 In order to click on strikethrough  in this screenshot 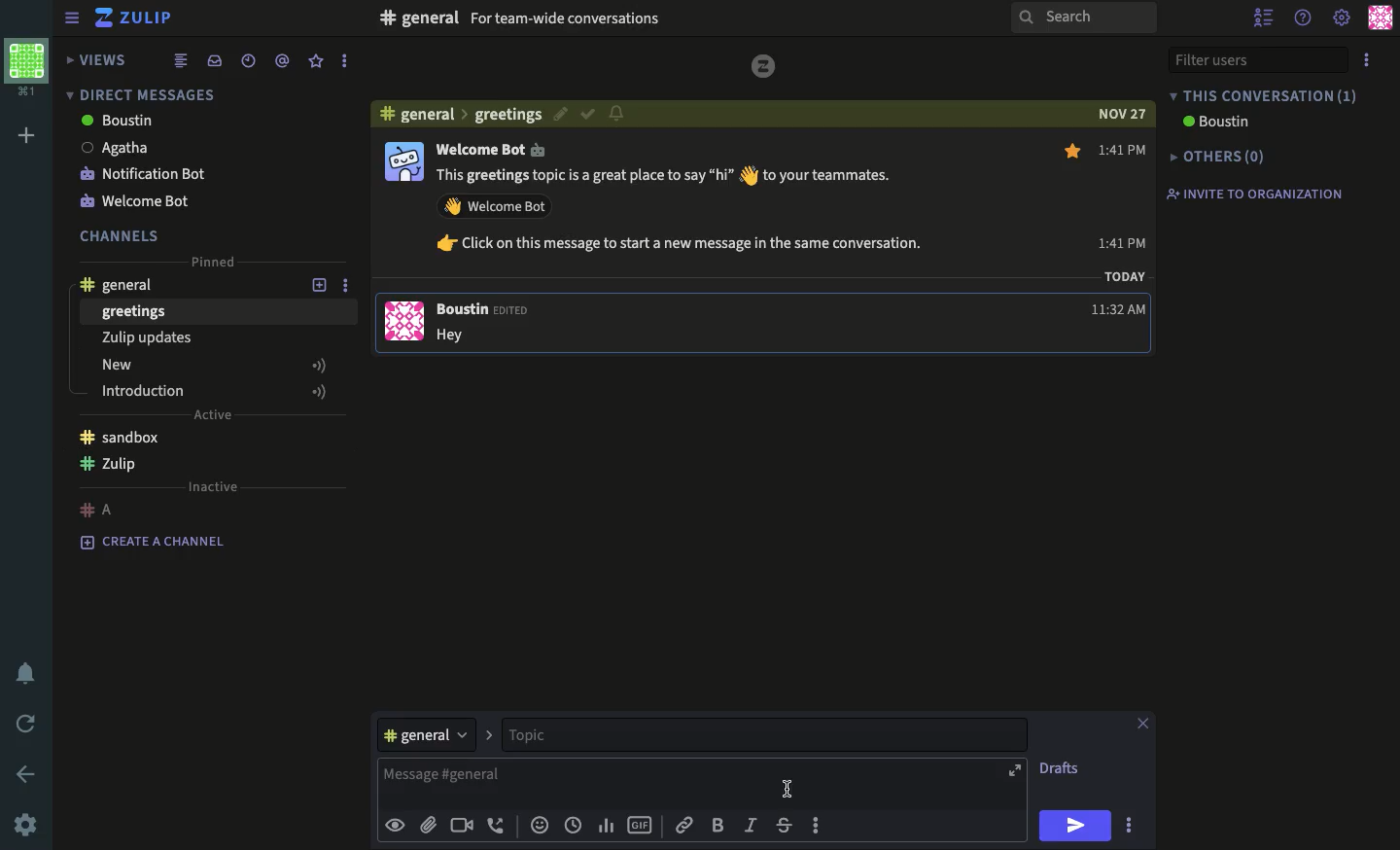, I will do `click(785, 826)`.